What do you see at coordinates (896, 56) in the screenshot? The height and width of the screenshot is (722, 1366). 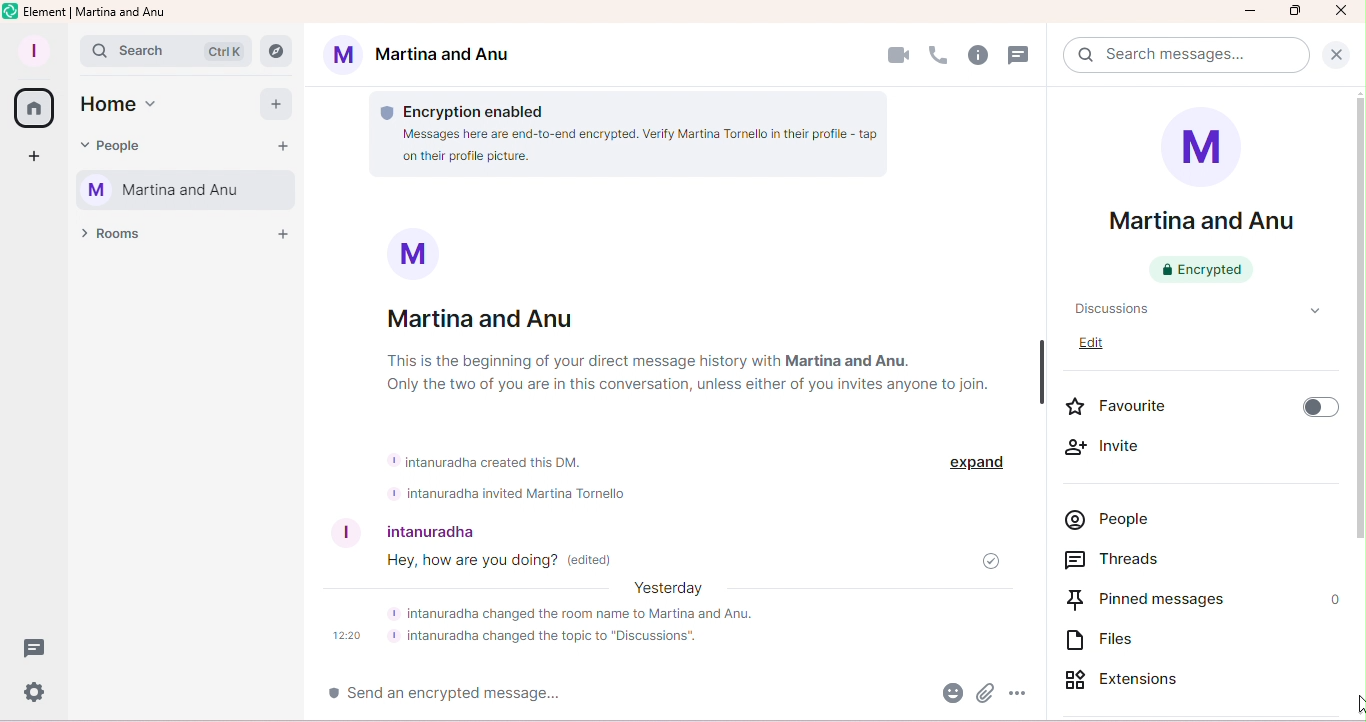 I see `Video Call` at bounding box center [896, 56].